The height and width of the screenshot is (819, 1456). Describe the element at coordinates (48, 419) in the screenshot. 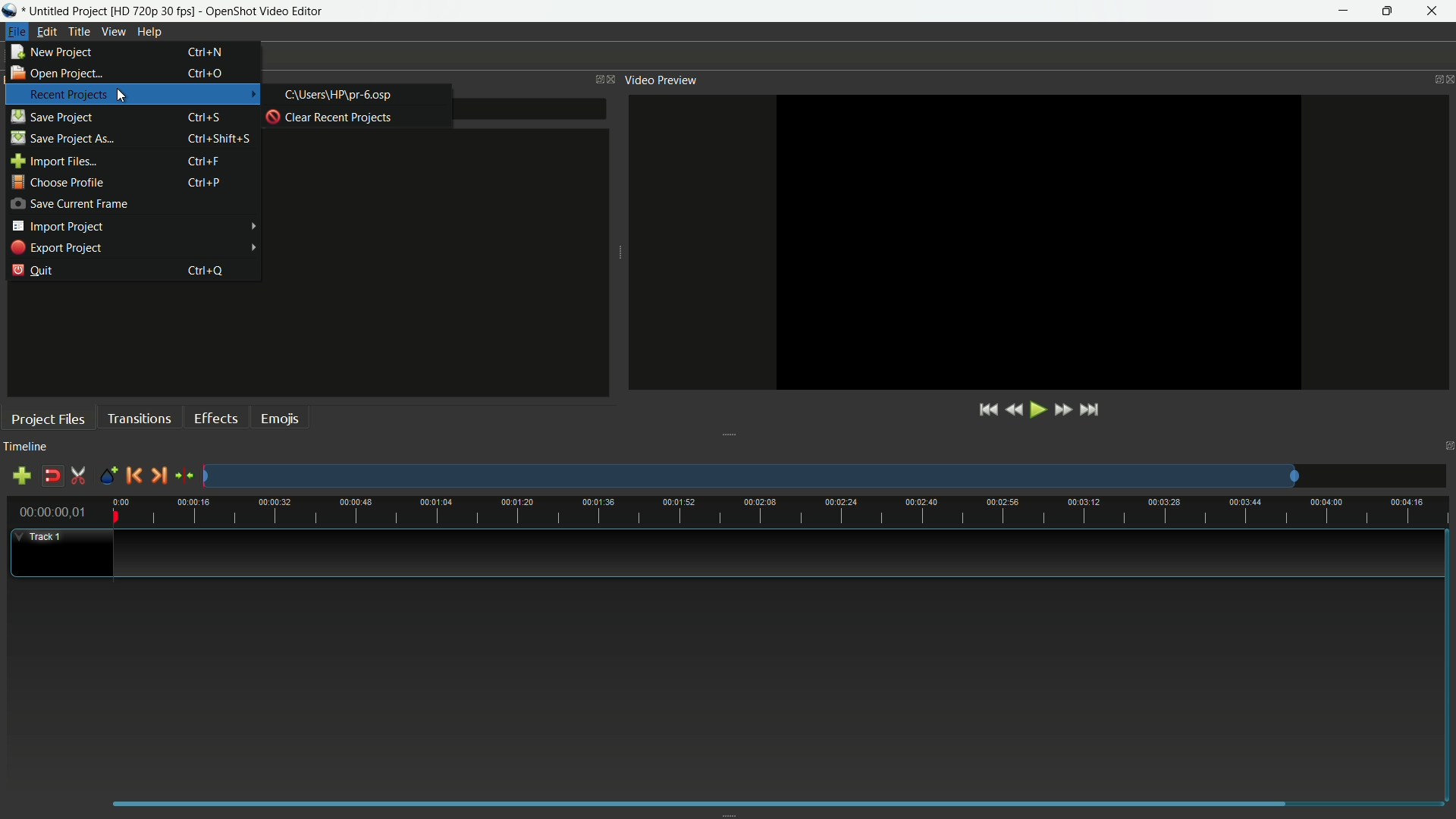

I see `project files` at that location.